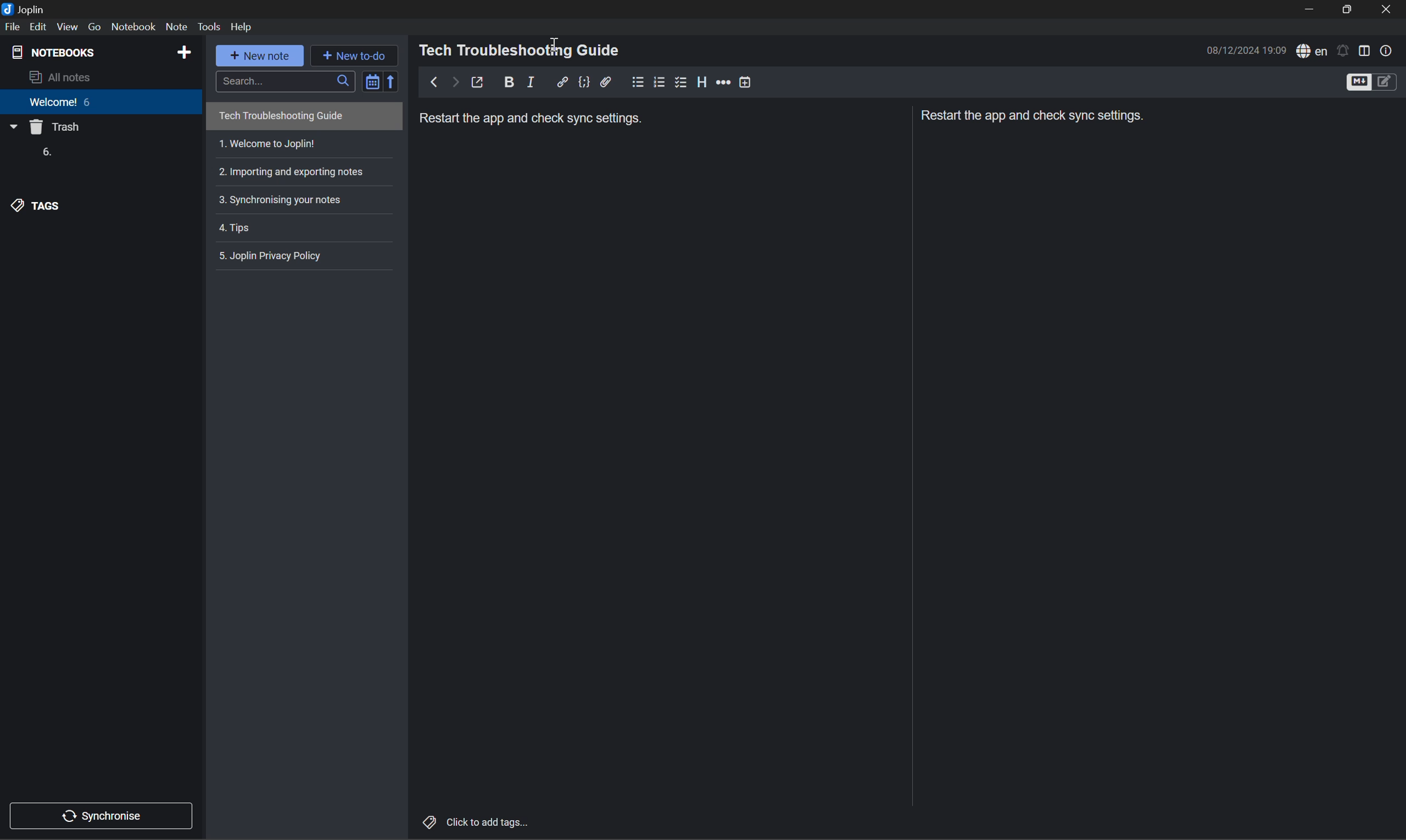  What do you see at coordinates (41, 27) in the screenshot?
I see `Edit` at bounding box center [41, 27].